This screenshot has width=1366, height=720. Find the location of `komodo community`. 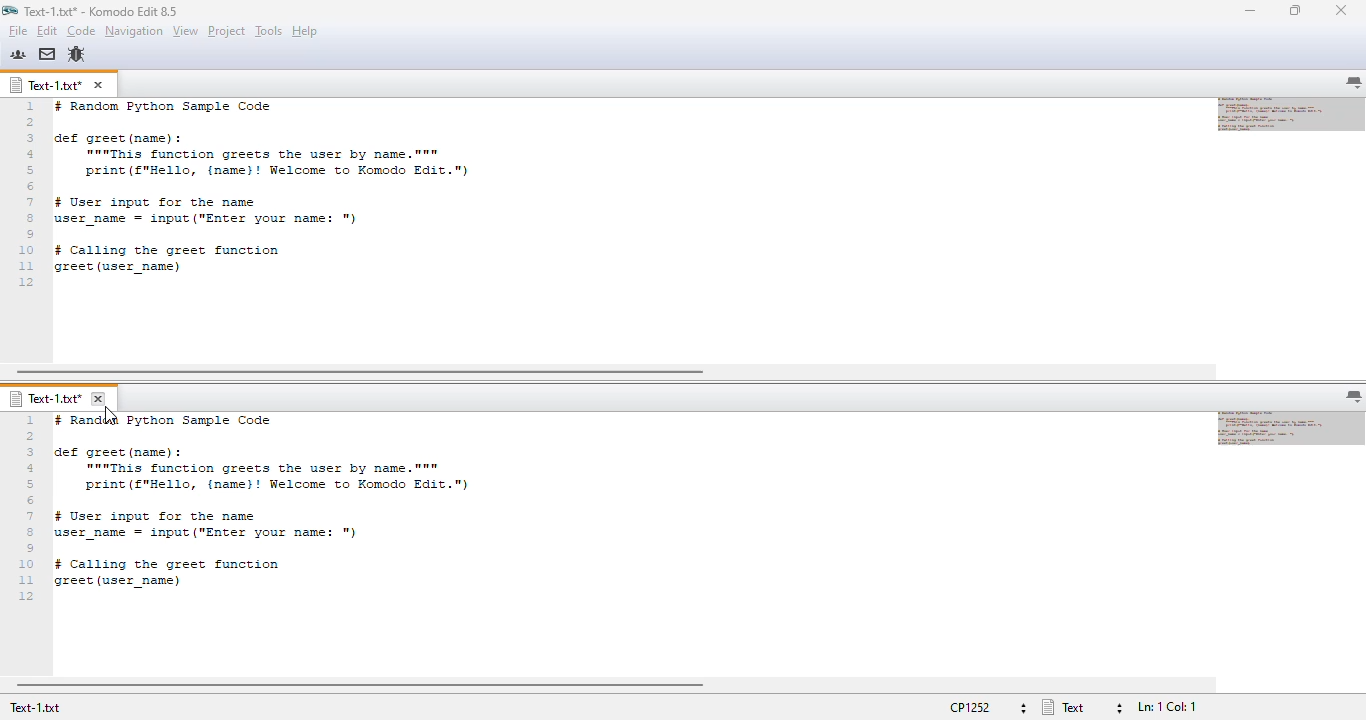

komodo community is located at coordinates (18, 54).